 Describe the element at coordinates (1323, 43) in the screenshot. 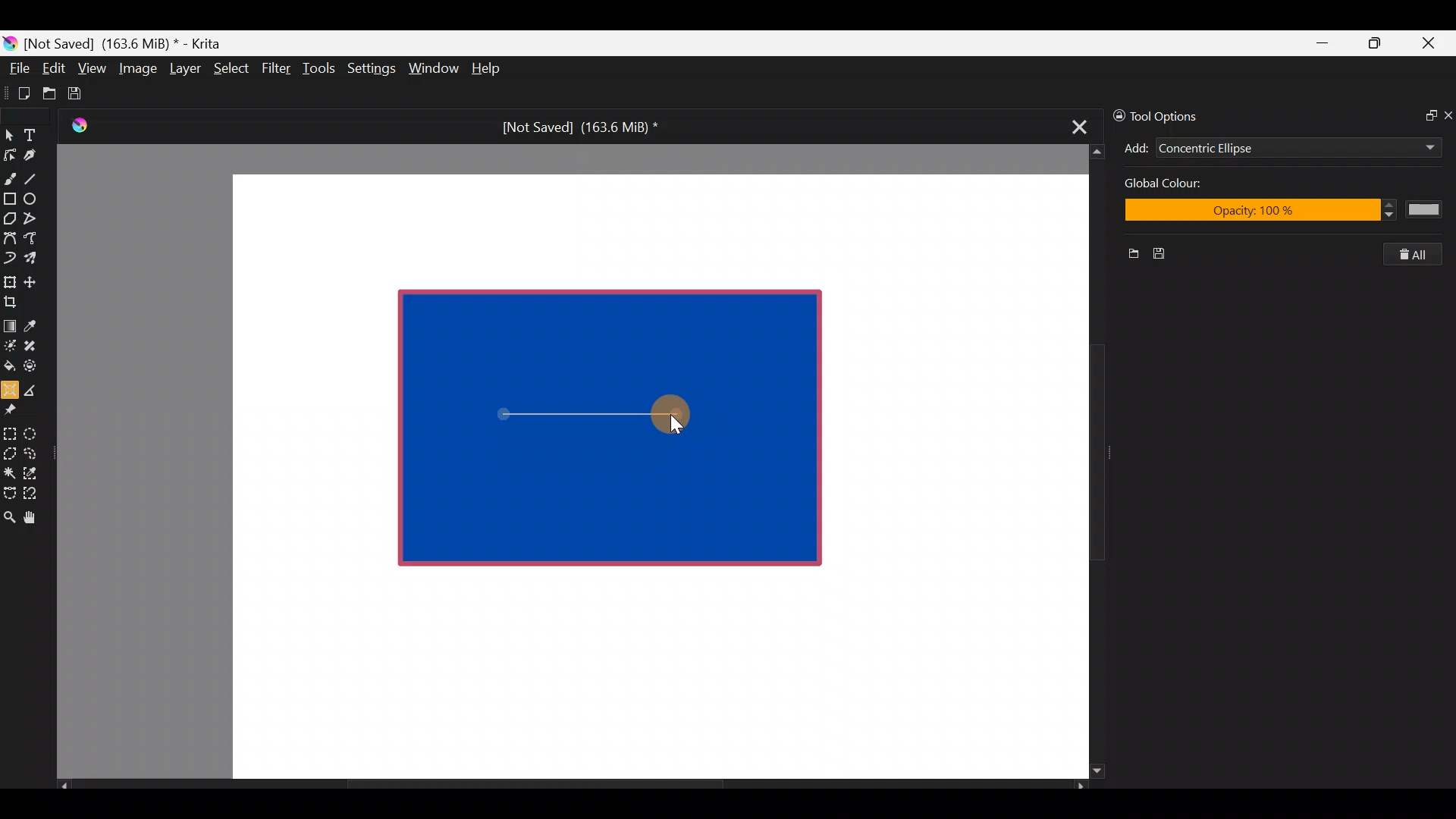

I see `Minimize` at that location.